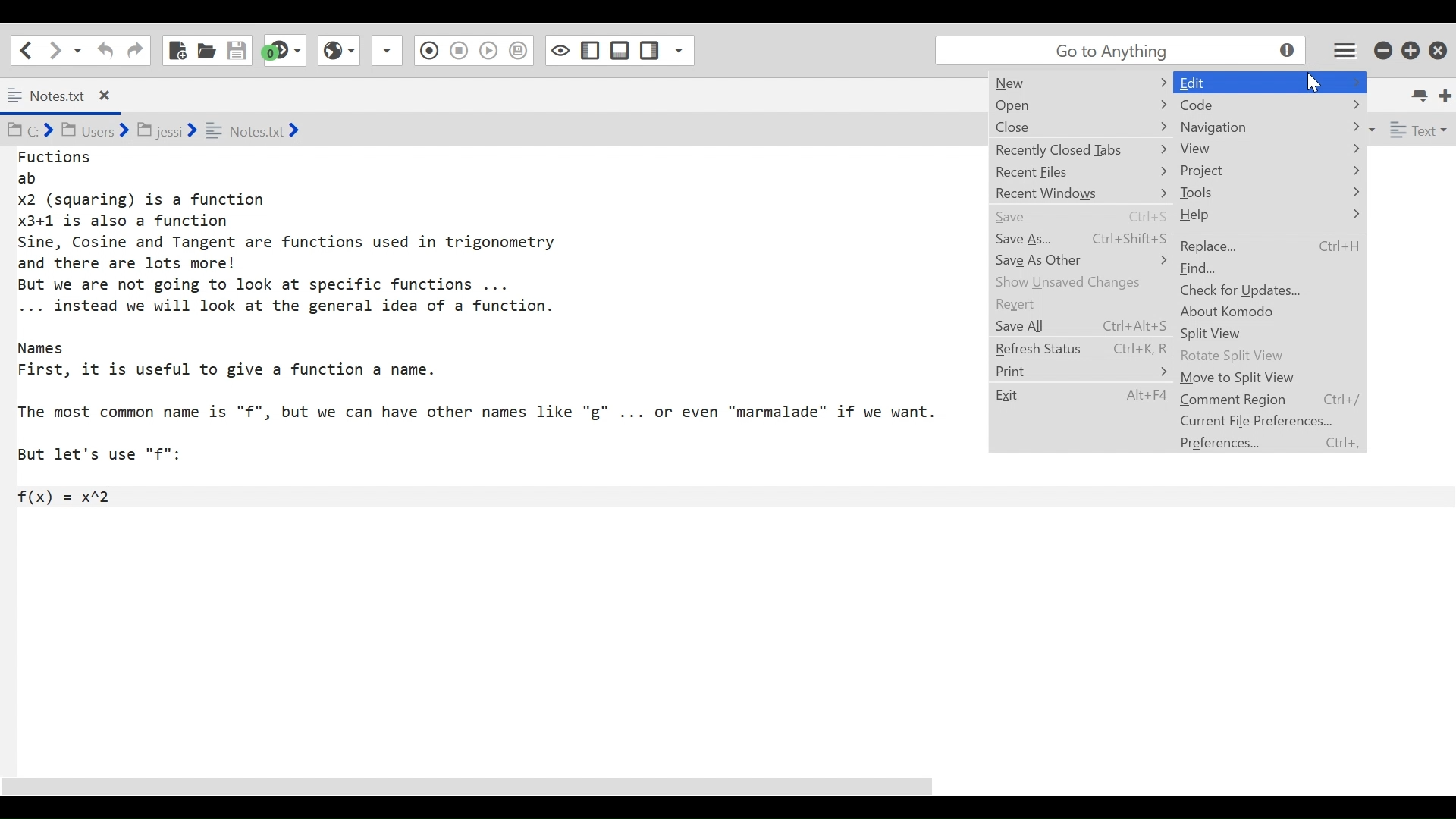 The height and width of the screenshot is (819, 1456). Describe the element at coordinates (1417, 133) in the screenshot. I see `File Type` at that location.